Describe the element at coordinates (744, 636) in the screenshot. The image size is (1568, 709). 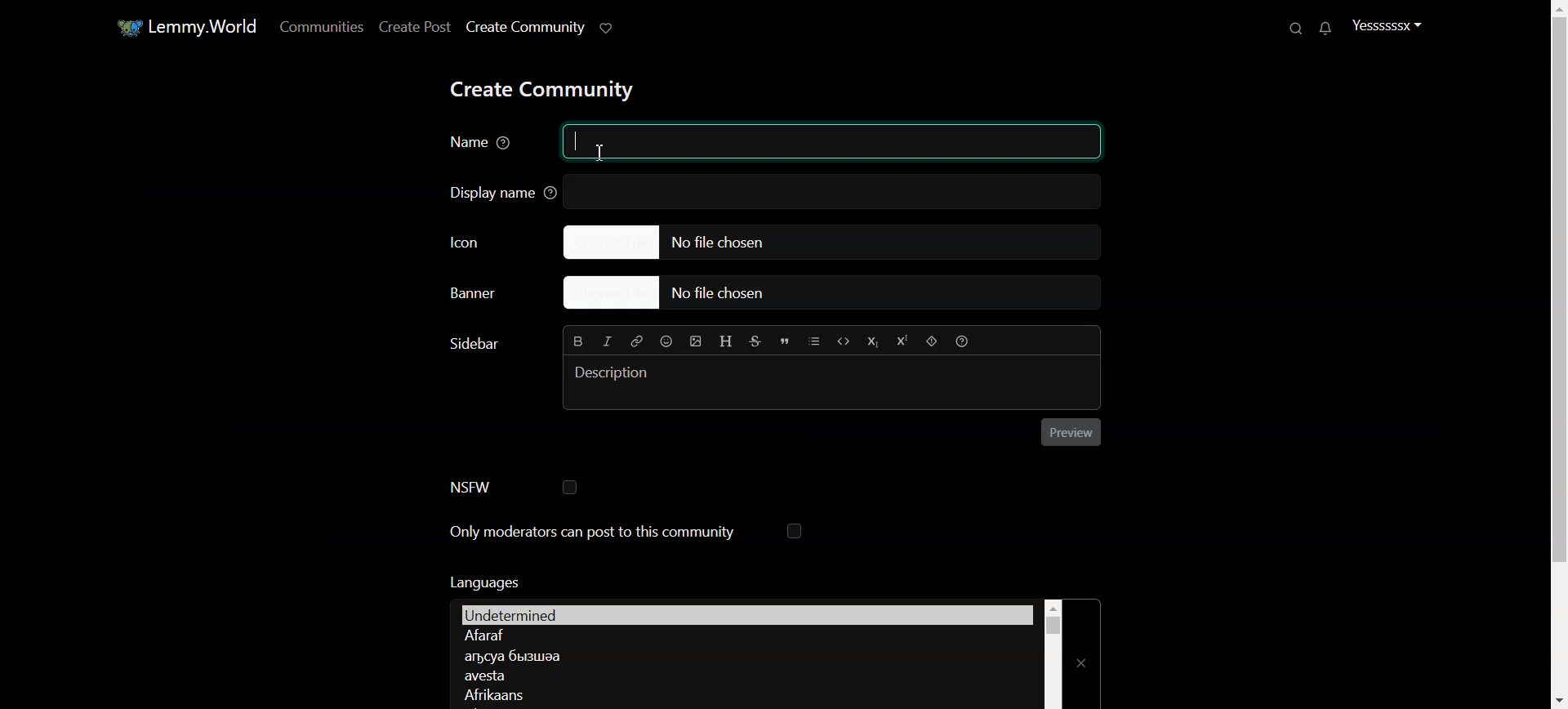
I see `Language` at that location.